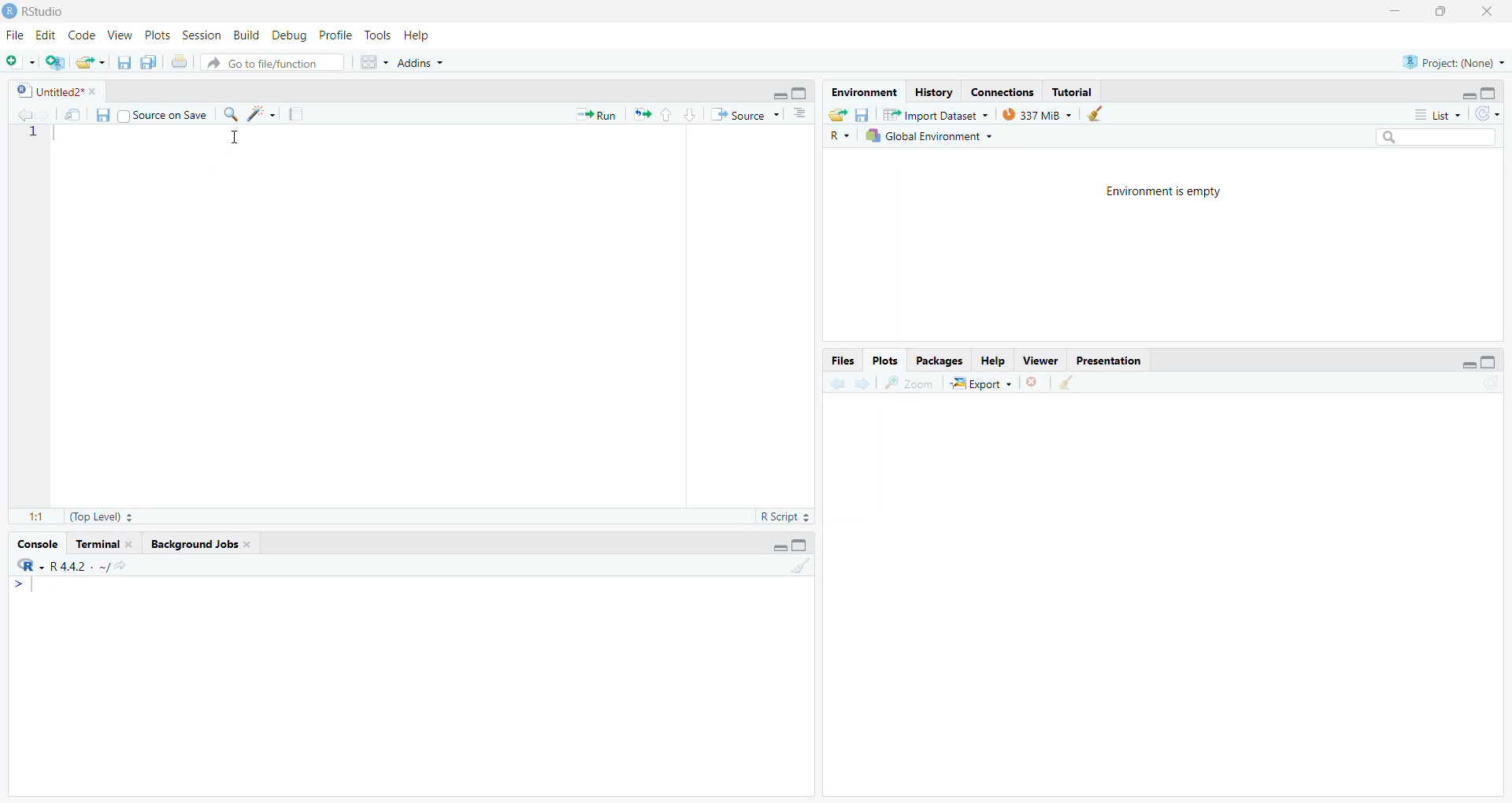 The image size is (1512, 803). Describe the element at coordinates (991, 361) in the screenshot. I see `Help` at that location.